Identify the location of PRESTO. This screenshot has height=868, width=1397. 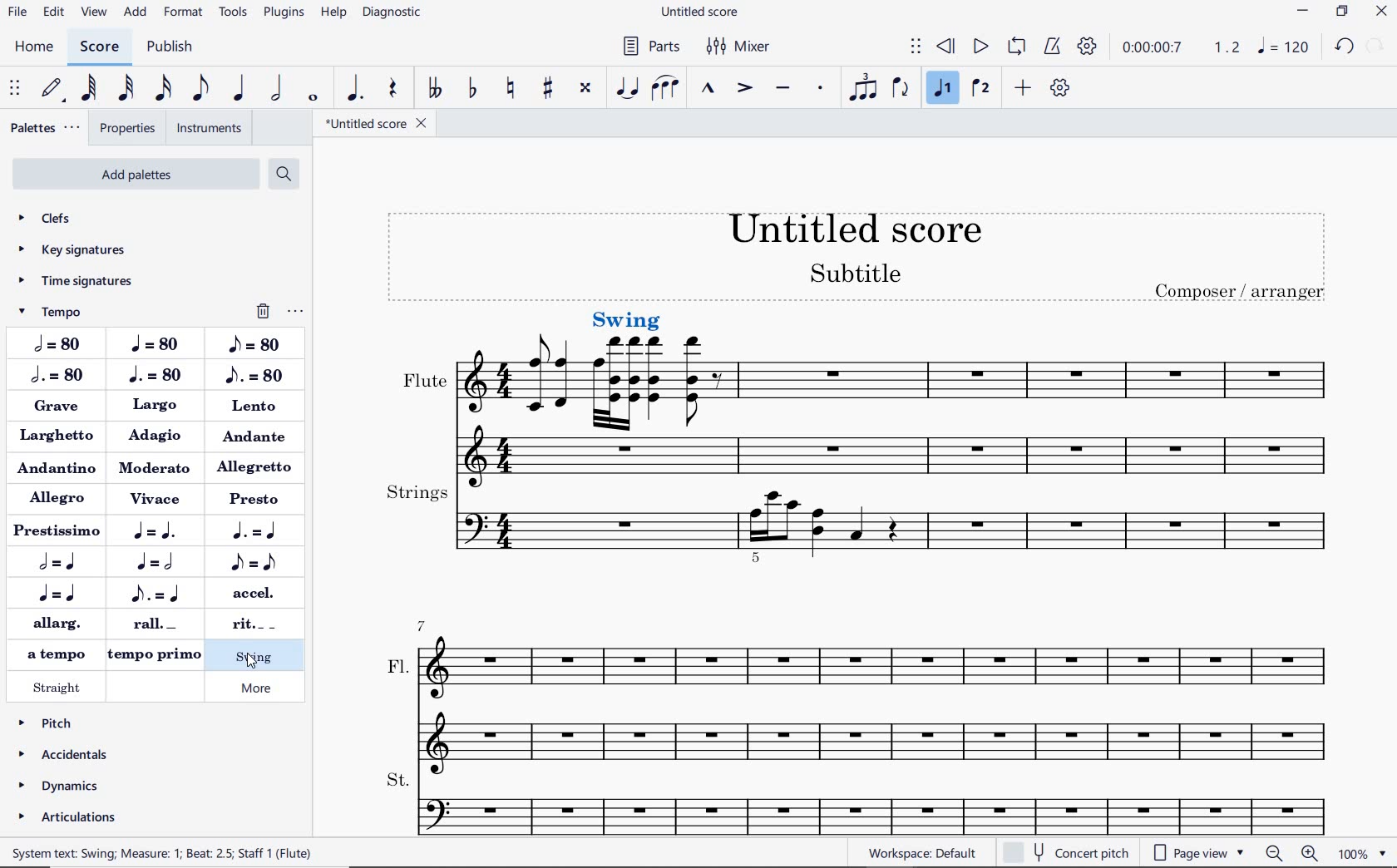
(257, 496).